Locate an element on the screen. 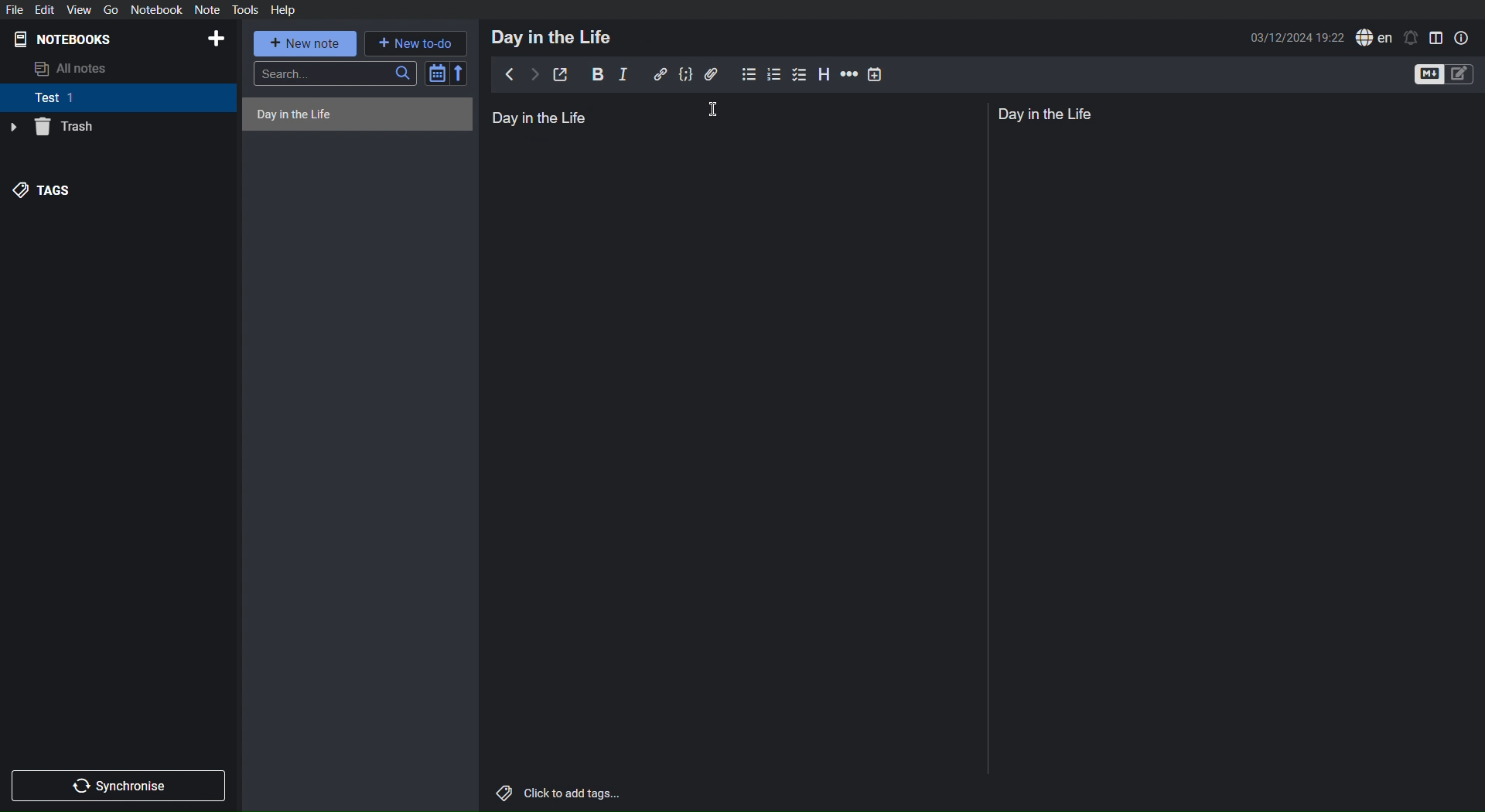  Untitled is located at coordinates (357, 116).